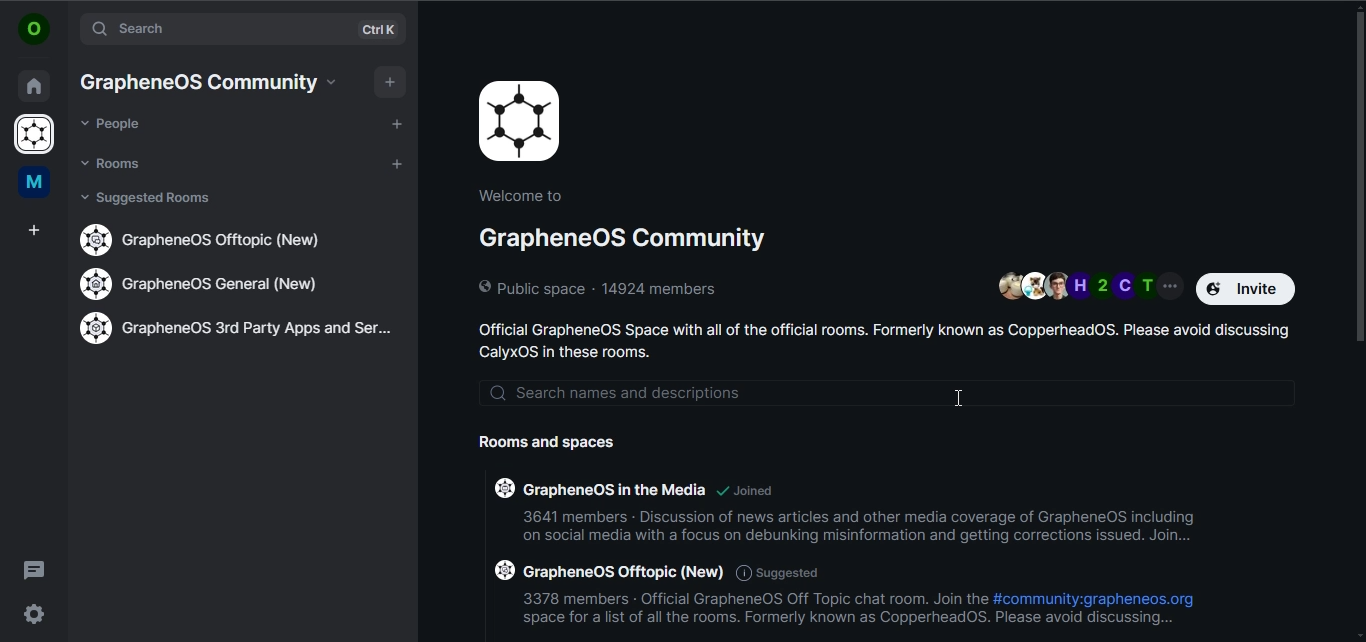  Describe the element at coordinates (392, 80) in the screenshot. I see `add` at that location.